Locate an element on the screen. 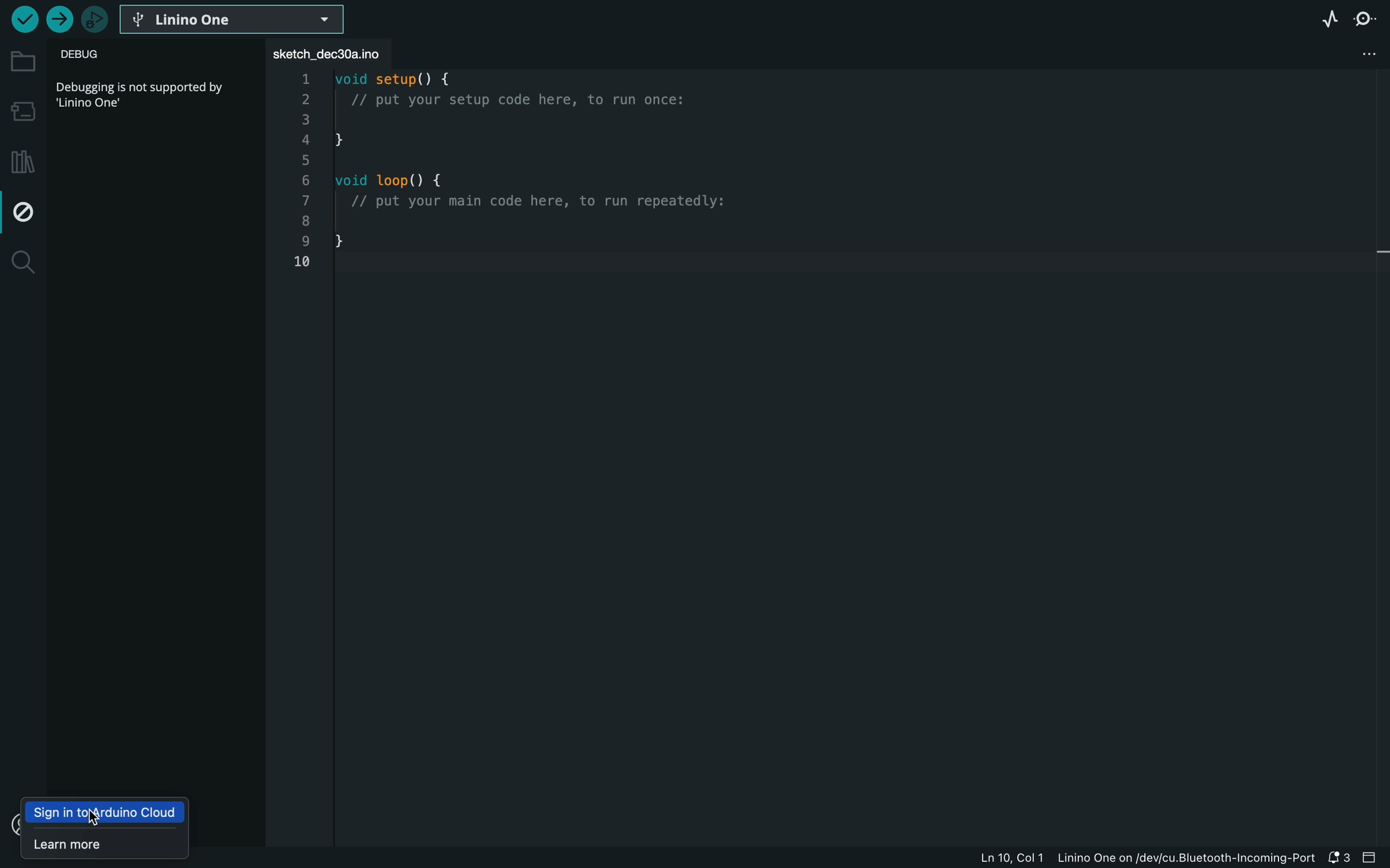  board selecter is located at coordinates (234, 20).